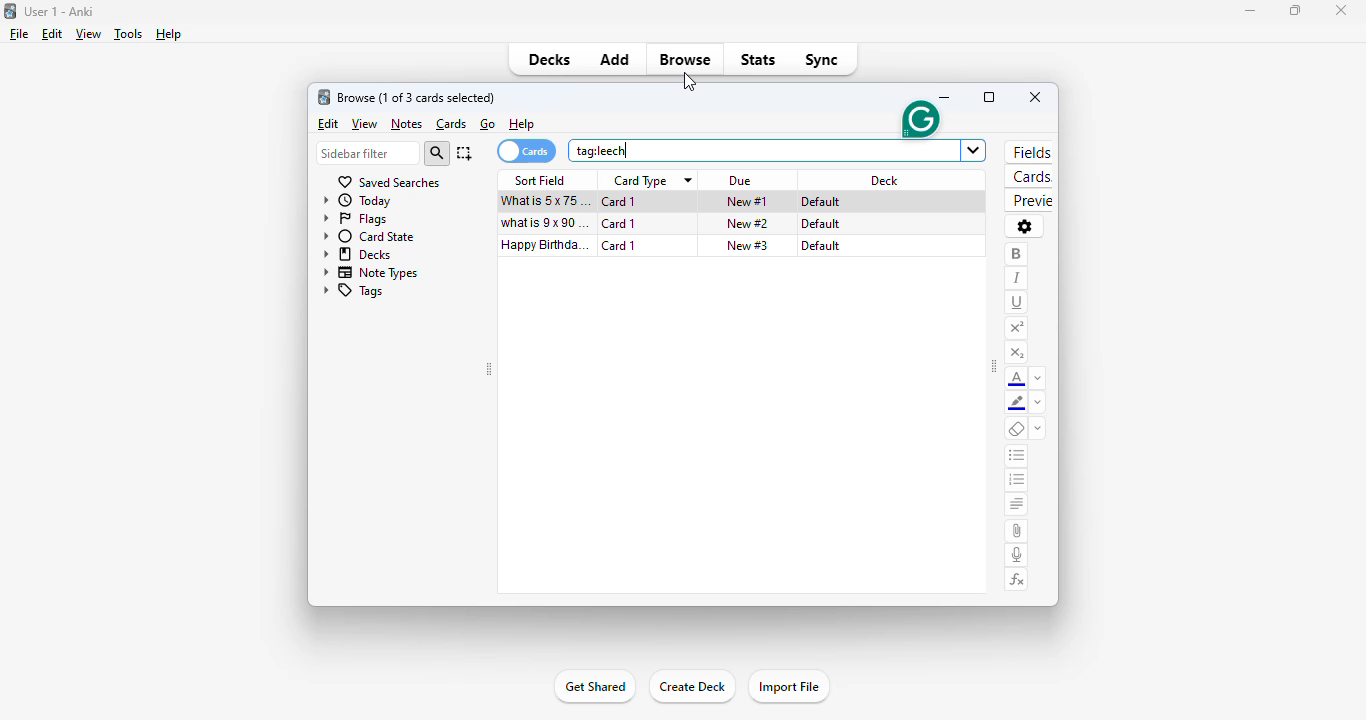  I want to click on deck, so click(883, 179).